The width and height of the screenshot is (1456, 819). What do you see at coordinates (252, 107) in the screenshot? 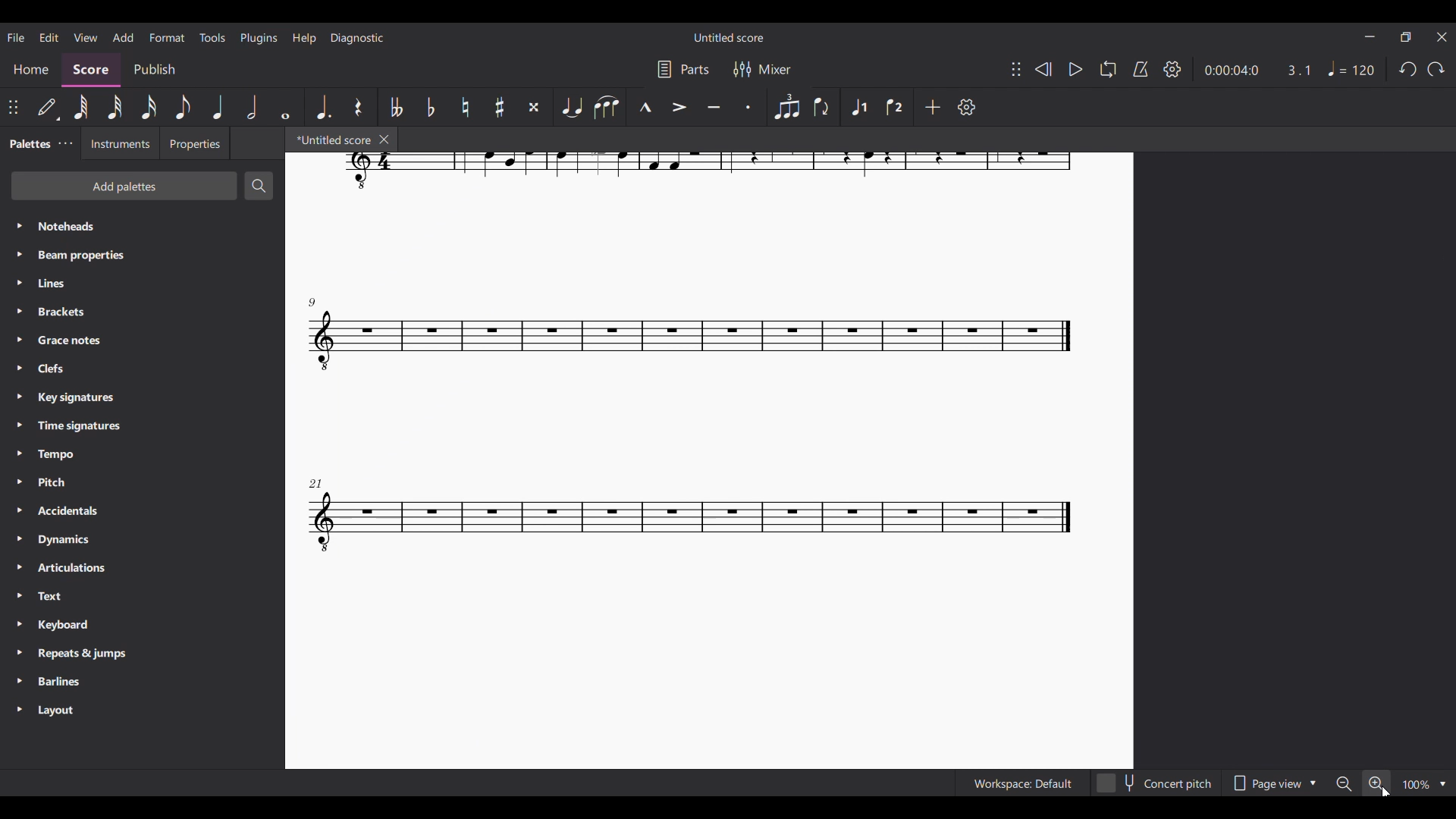
I see `Half note` at bounding box center [252, 107].